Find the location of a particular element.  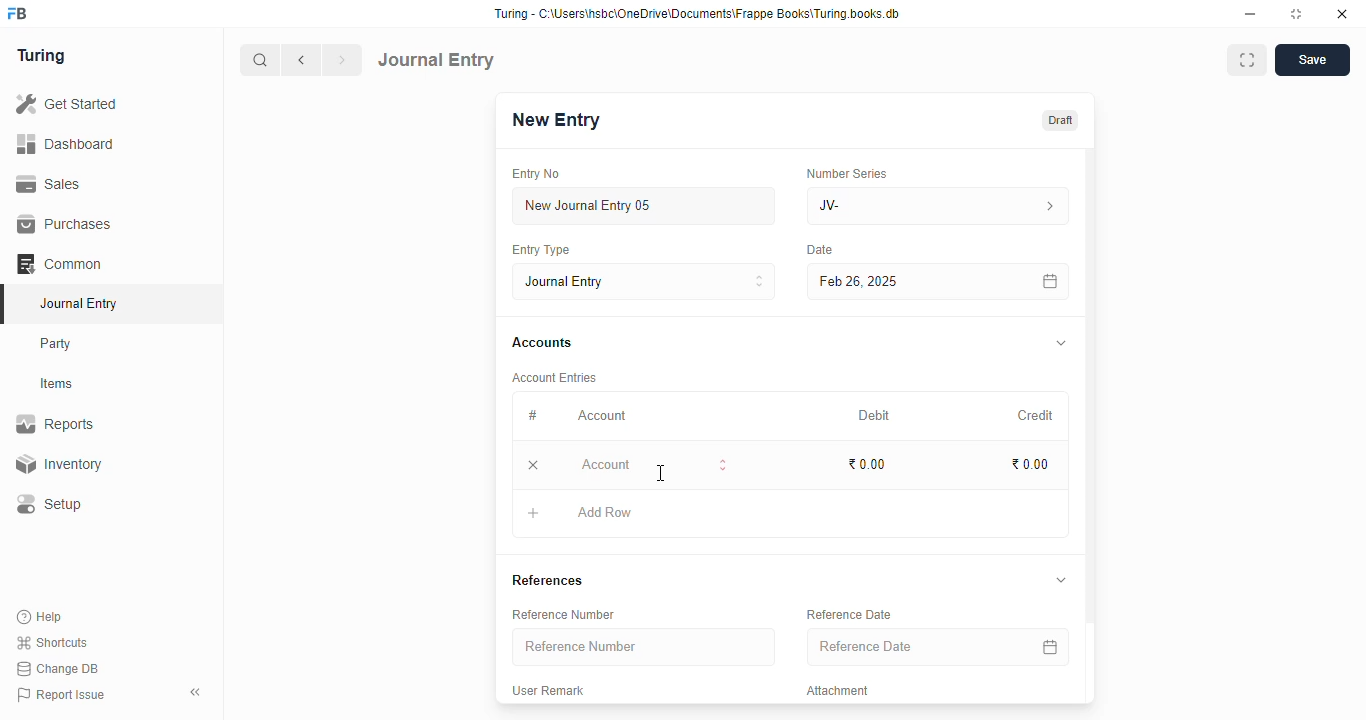

debit is located at coordinates (875, 415).